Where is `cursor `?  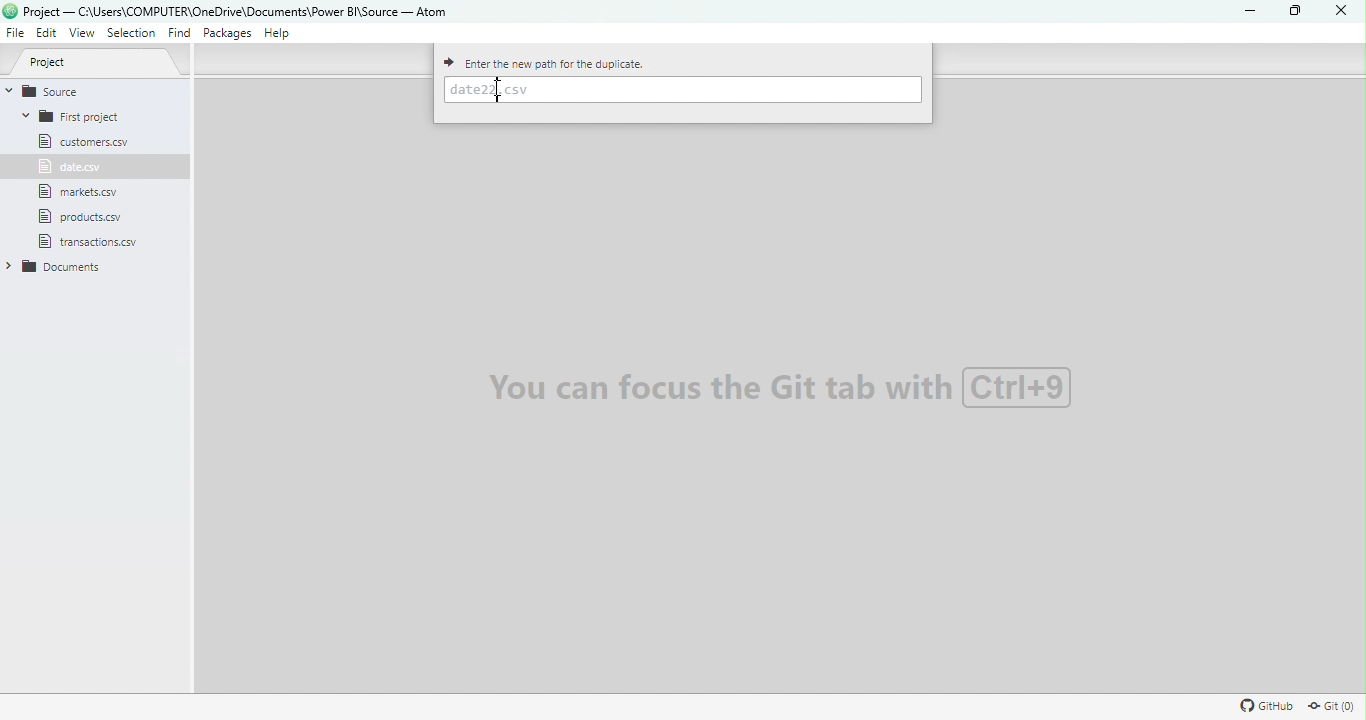 cursor  is located at coordinates (500, 92).